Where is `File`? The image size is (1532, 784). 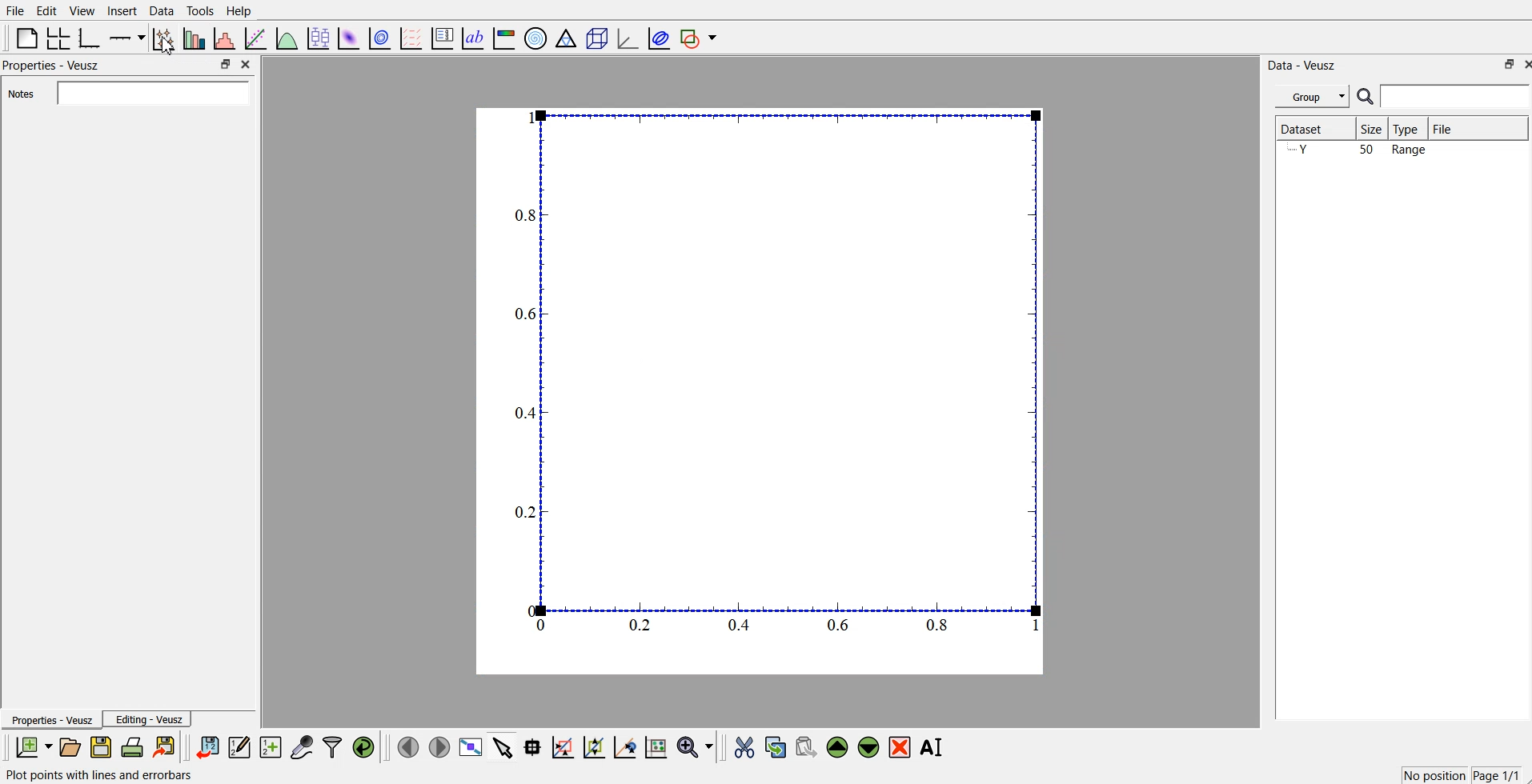 File is located at coordinates (1448, 126).